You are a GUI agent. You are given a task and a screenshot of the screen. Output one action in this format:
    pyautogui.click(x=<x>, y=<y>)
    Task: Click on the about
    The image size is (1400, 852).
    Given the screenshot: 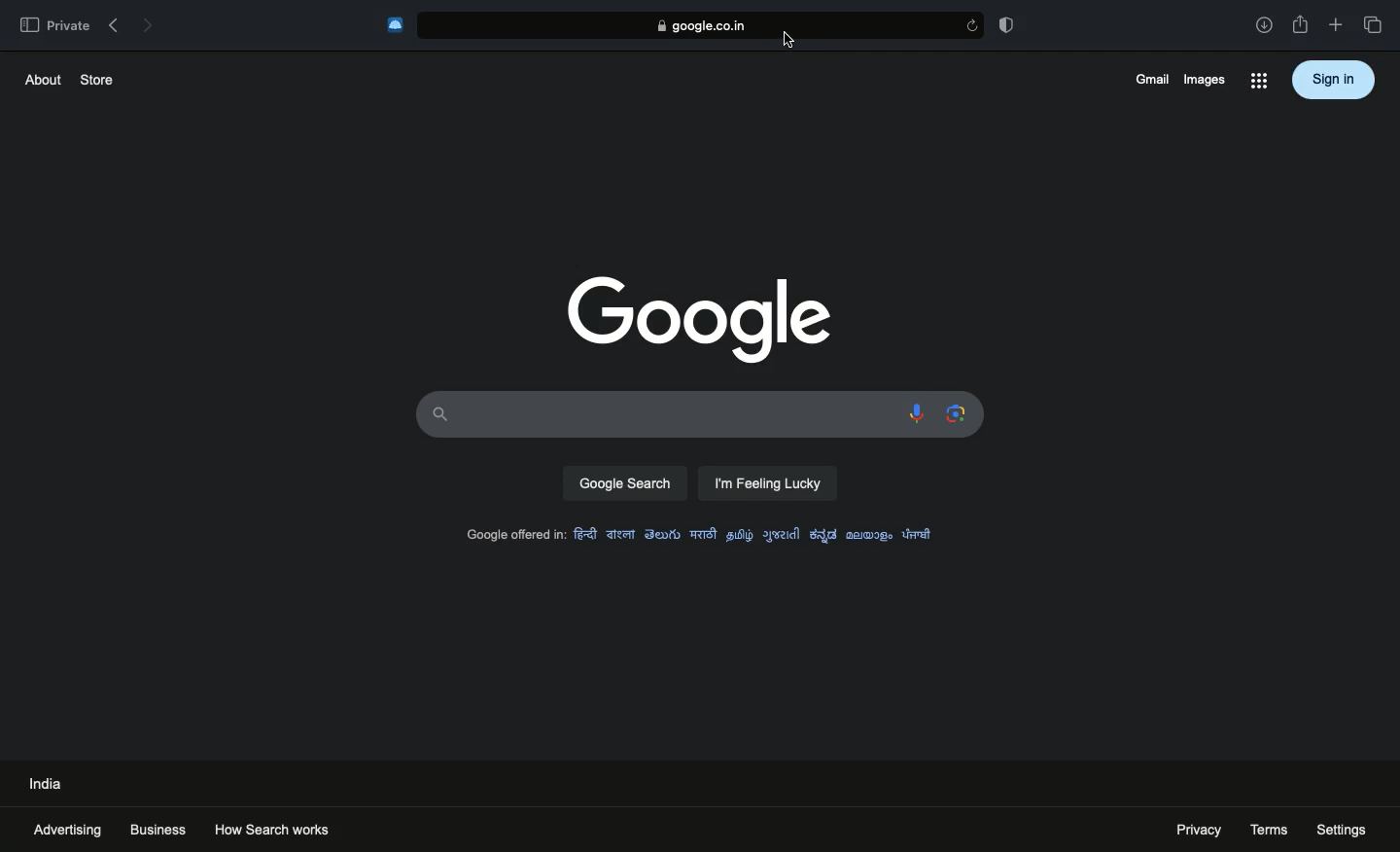 What is the action you would take?
    pyautogui.click(x=39, y=79)
    